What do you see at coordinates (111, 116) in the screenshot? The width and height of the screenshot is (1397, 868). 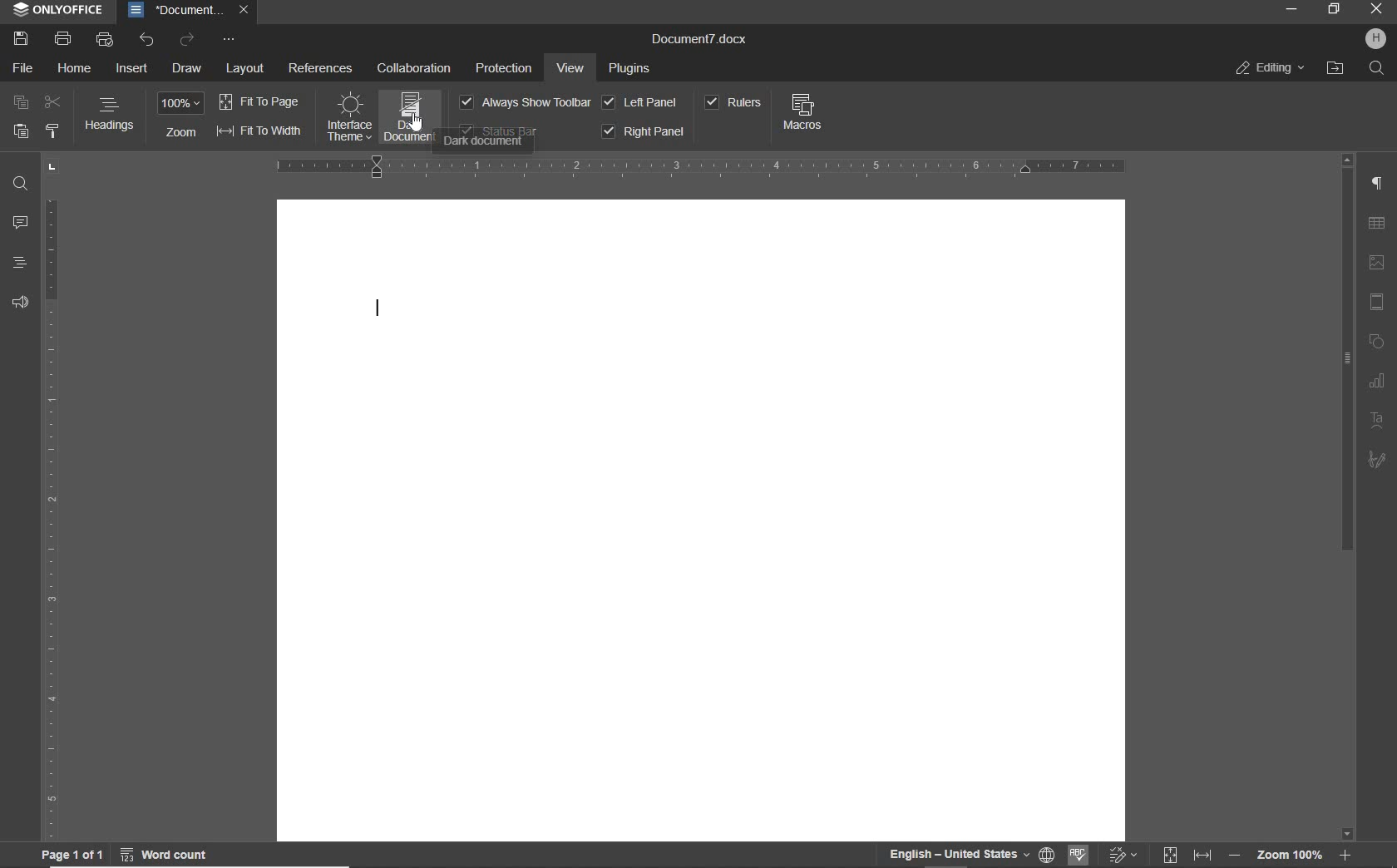 I see `HEADINGS` at bounding box center [111, 116].